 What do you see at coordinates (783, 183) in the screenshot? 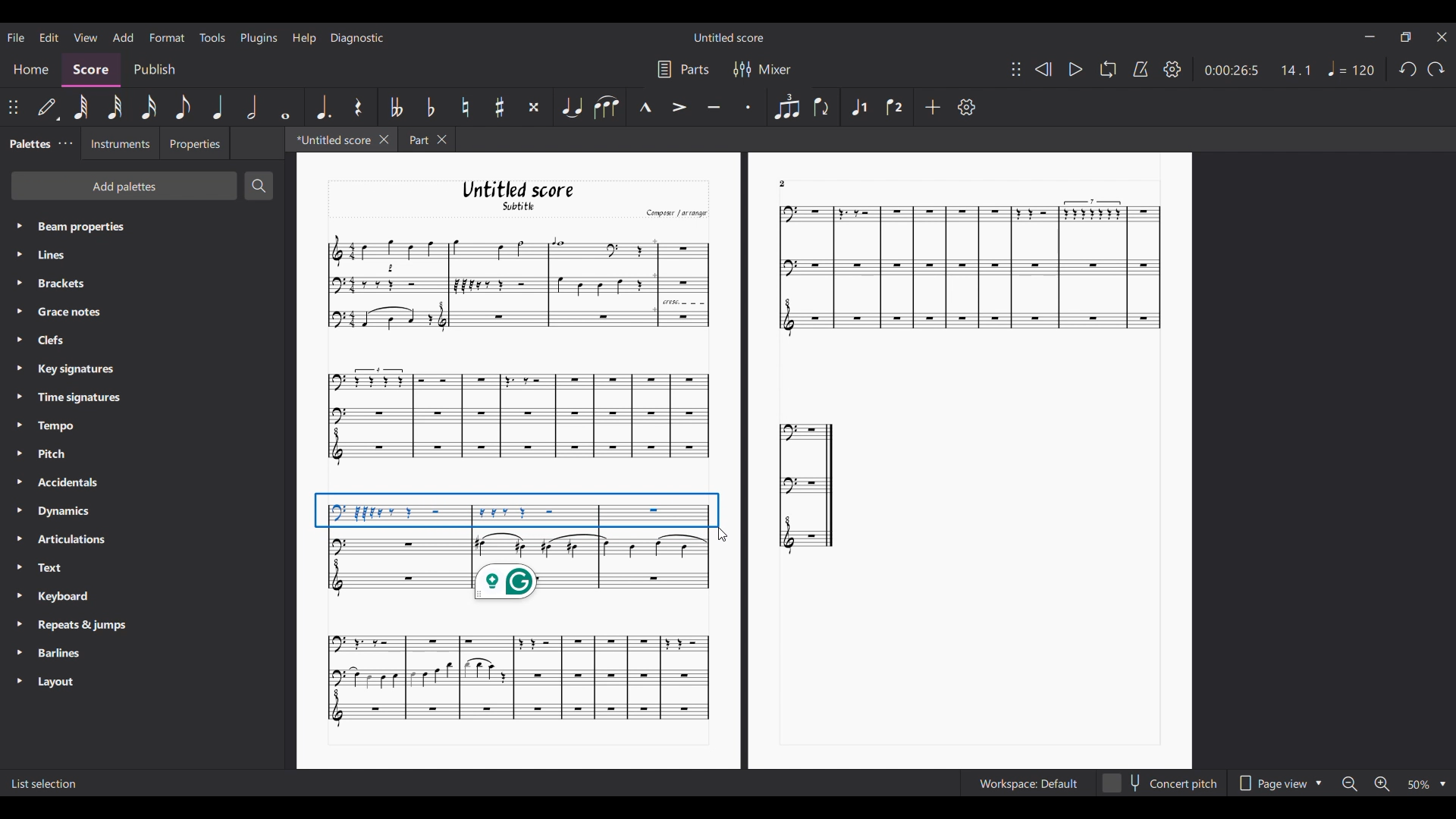
I see `2` at bounding box center [783, 183].